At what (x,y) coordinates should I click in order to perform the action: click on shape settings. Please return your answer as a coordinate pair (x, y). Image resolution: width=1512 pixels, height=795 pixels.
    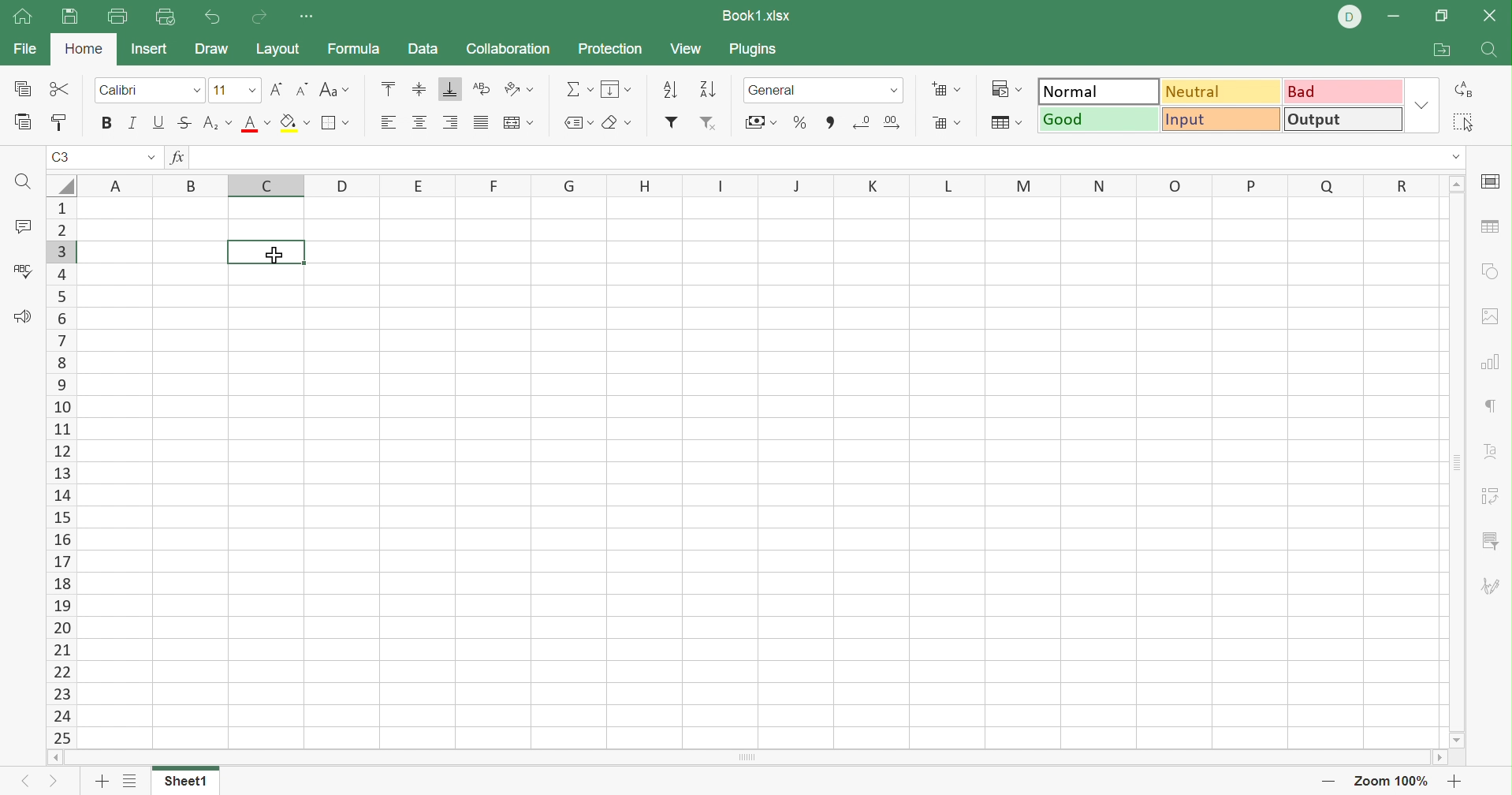
    Looking at the image, I should click on (1491, 272).